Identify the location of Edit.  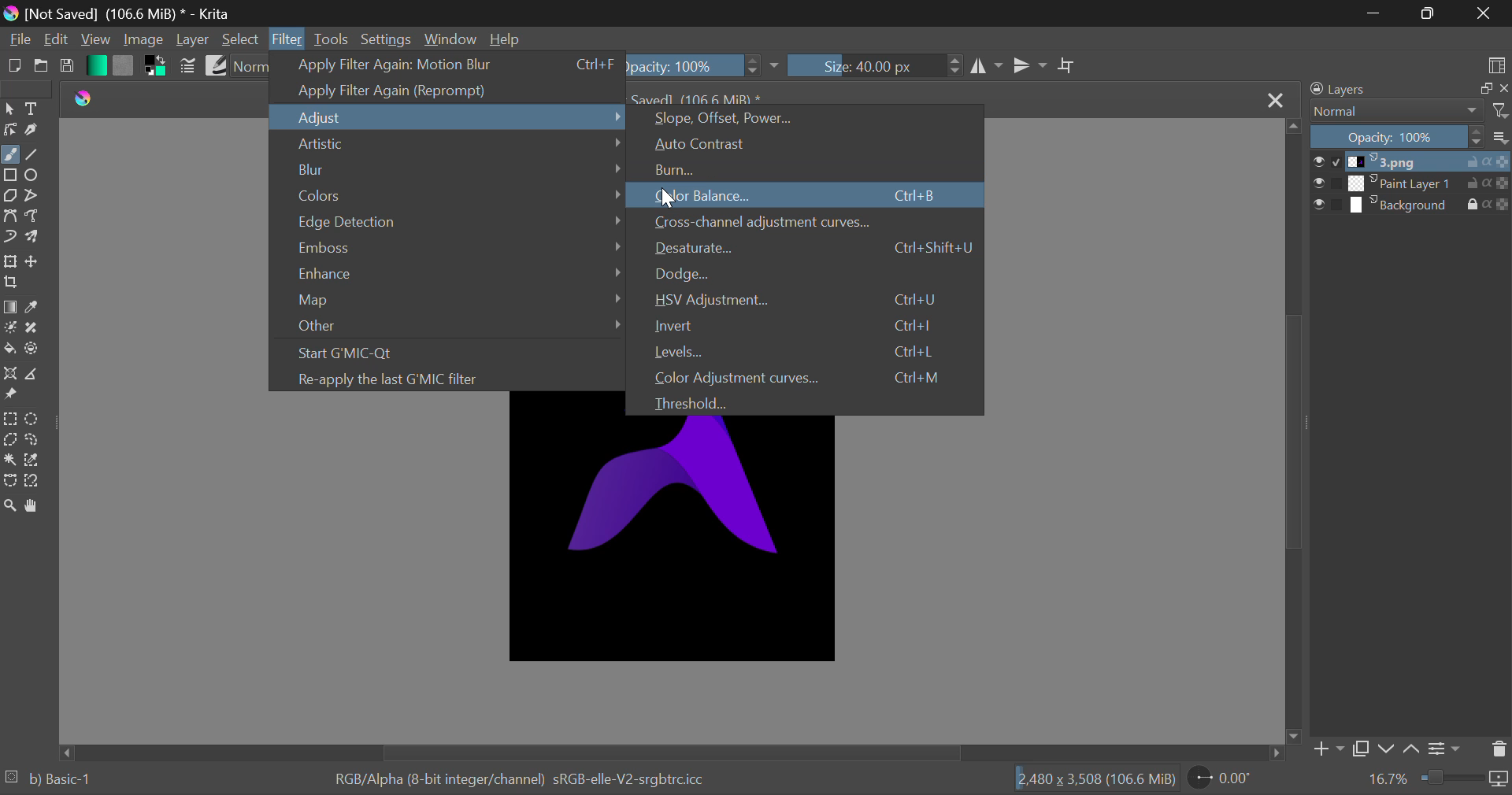
(54, 41).